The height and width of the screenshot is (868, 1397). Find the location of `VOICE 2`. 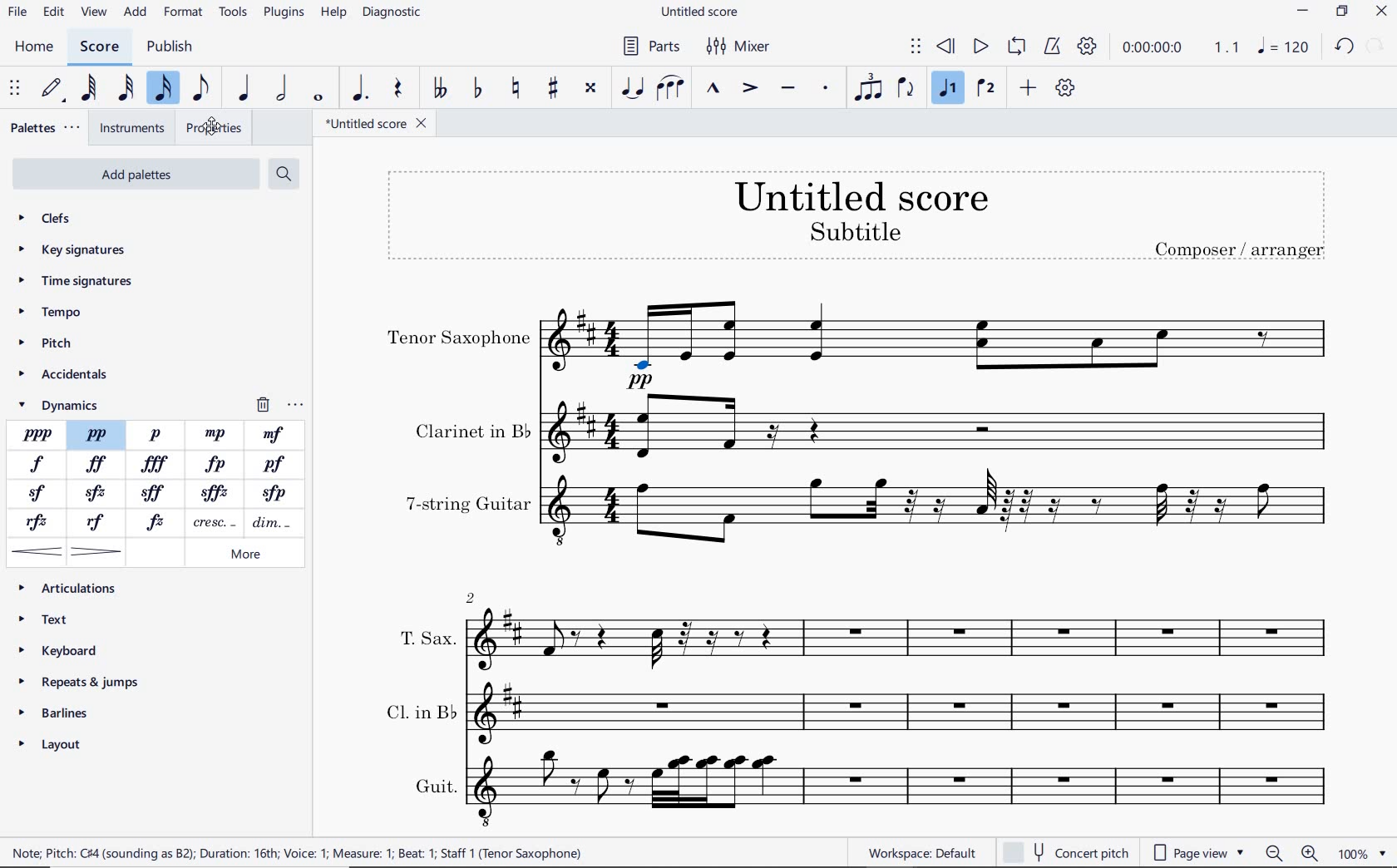

VOICE 2 is located at coordinates (988, 88).